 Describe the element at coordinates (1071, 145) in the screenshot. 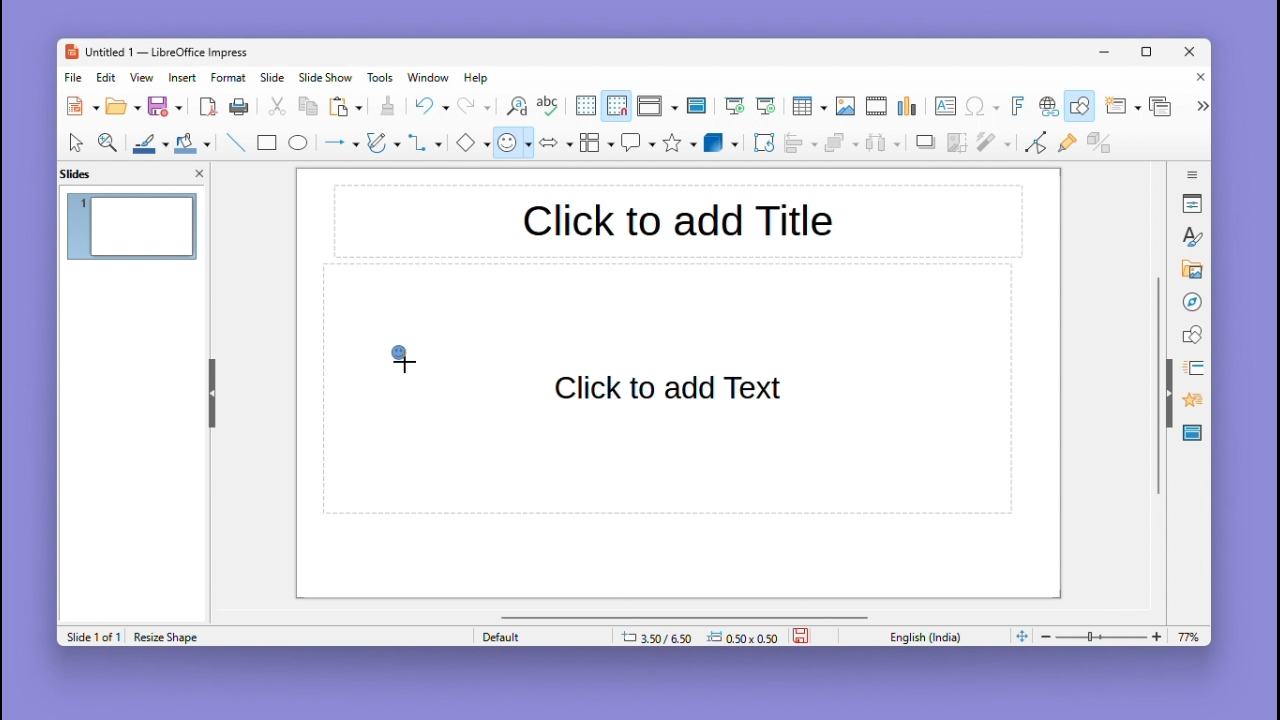

I see `Glue point` at that location.